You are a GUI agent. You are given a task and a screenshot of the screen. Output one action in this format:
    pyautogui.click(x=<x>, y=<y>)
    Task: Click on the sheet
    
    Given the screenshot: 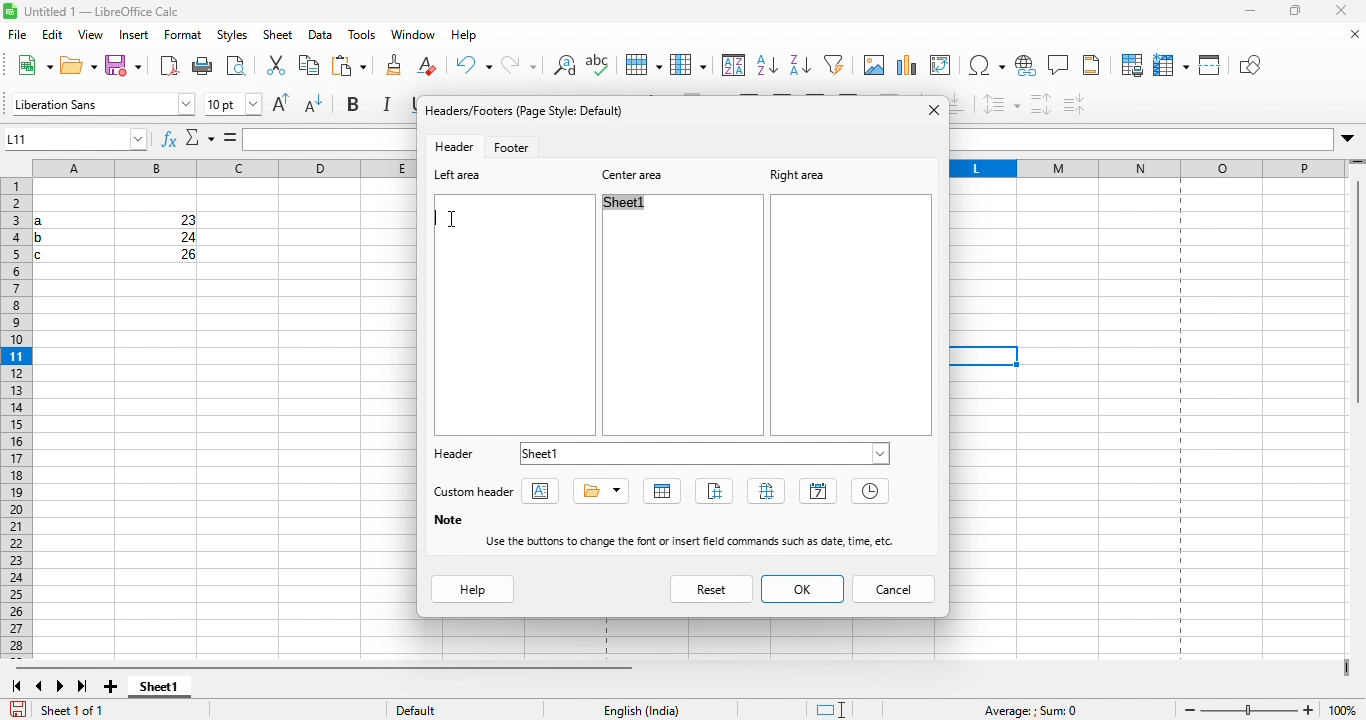 What is the action you would take?
    pyautogui.click(x=277, y=39)
    